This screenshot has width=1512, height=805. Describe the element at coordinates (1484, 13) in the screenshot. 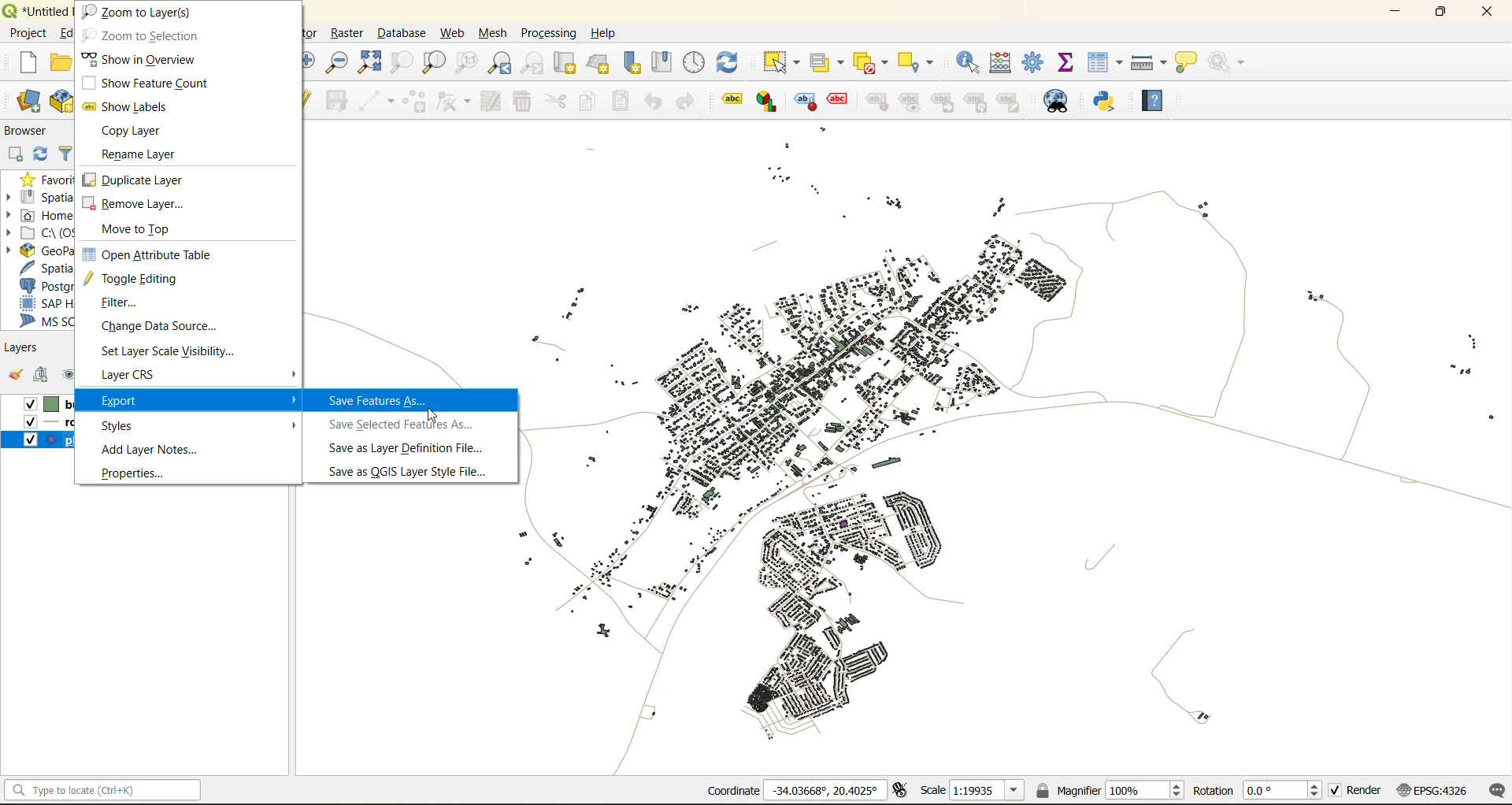

I see `close` at that location.